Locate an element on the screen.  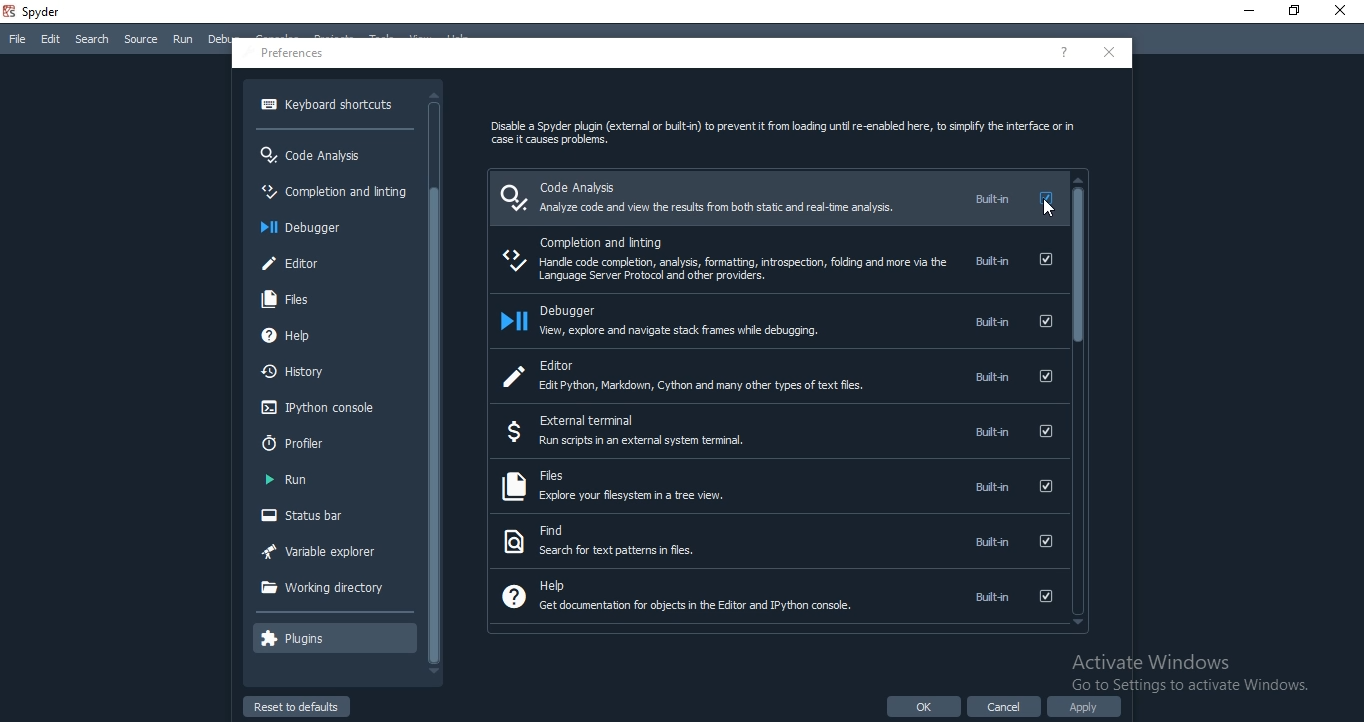
code analysis is located at coordinates (775, 198).